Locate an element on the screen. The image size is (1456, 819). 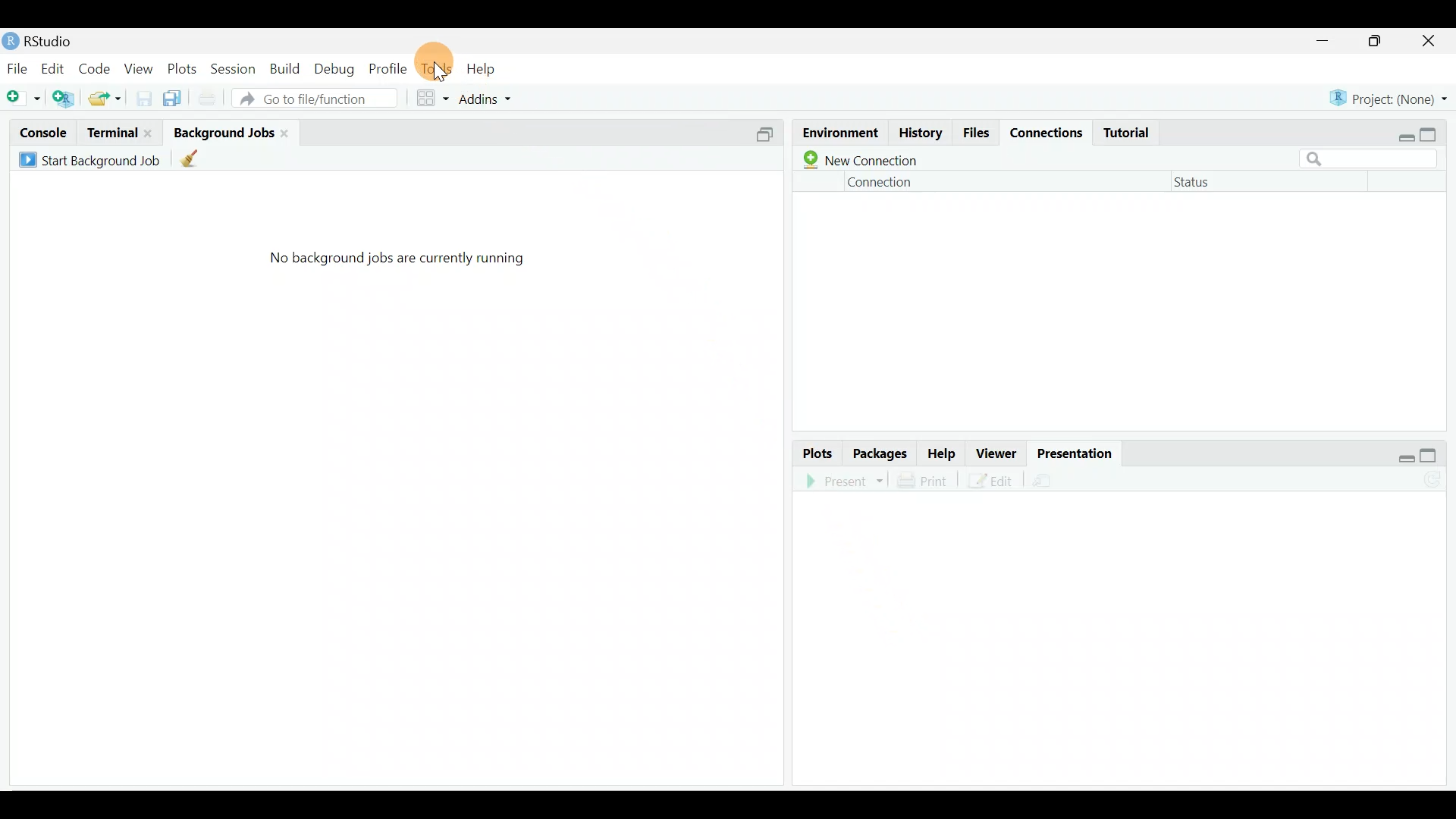
restore down is located at coordinates (1406, 451).